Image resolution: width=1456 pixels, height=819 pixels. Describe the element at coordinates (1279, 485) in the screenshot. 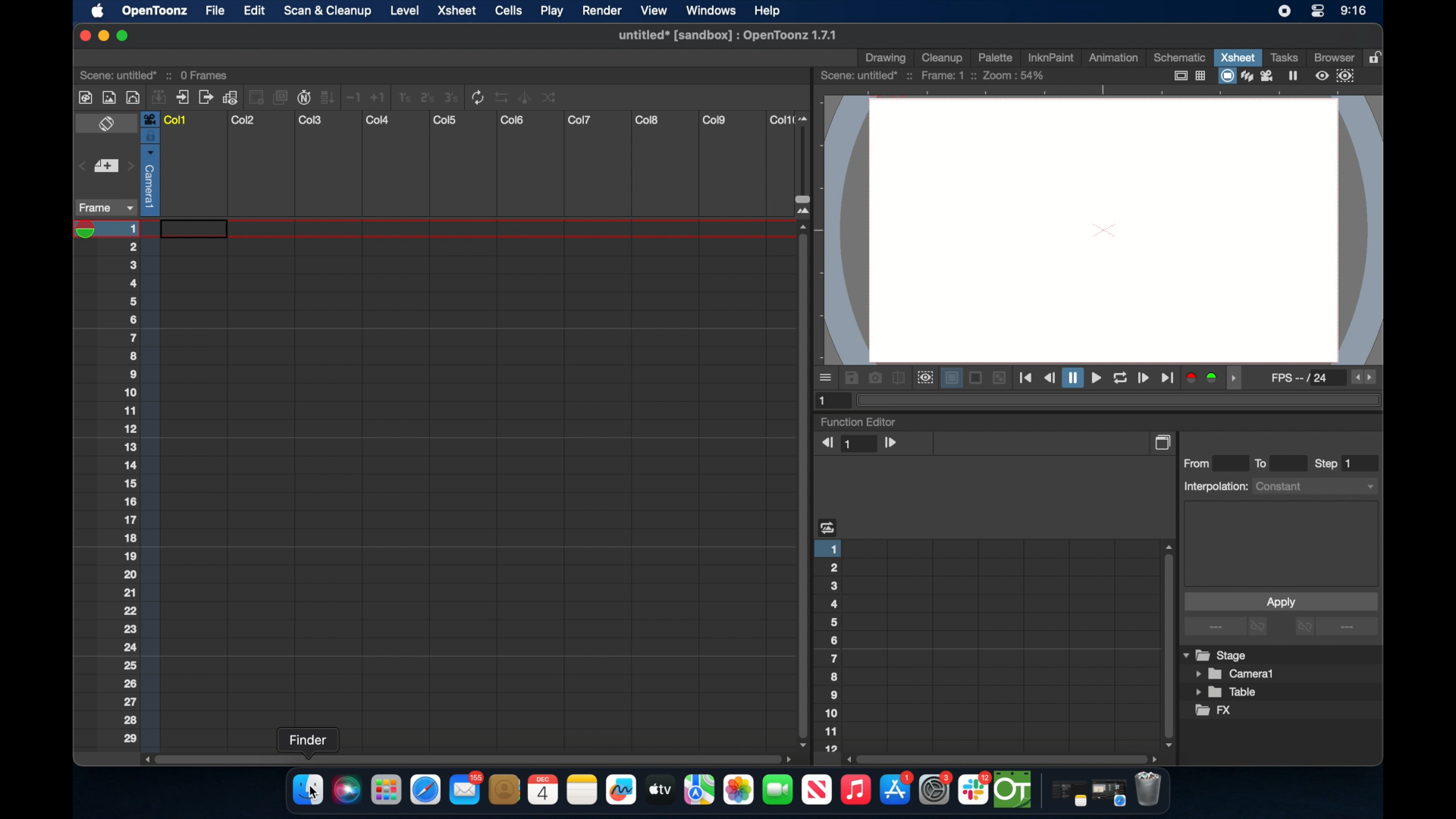

I see `interpolations` at that location.